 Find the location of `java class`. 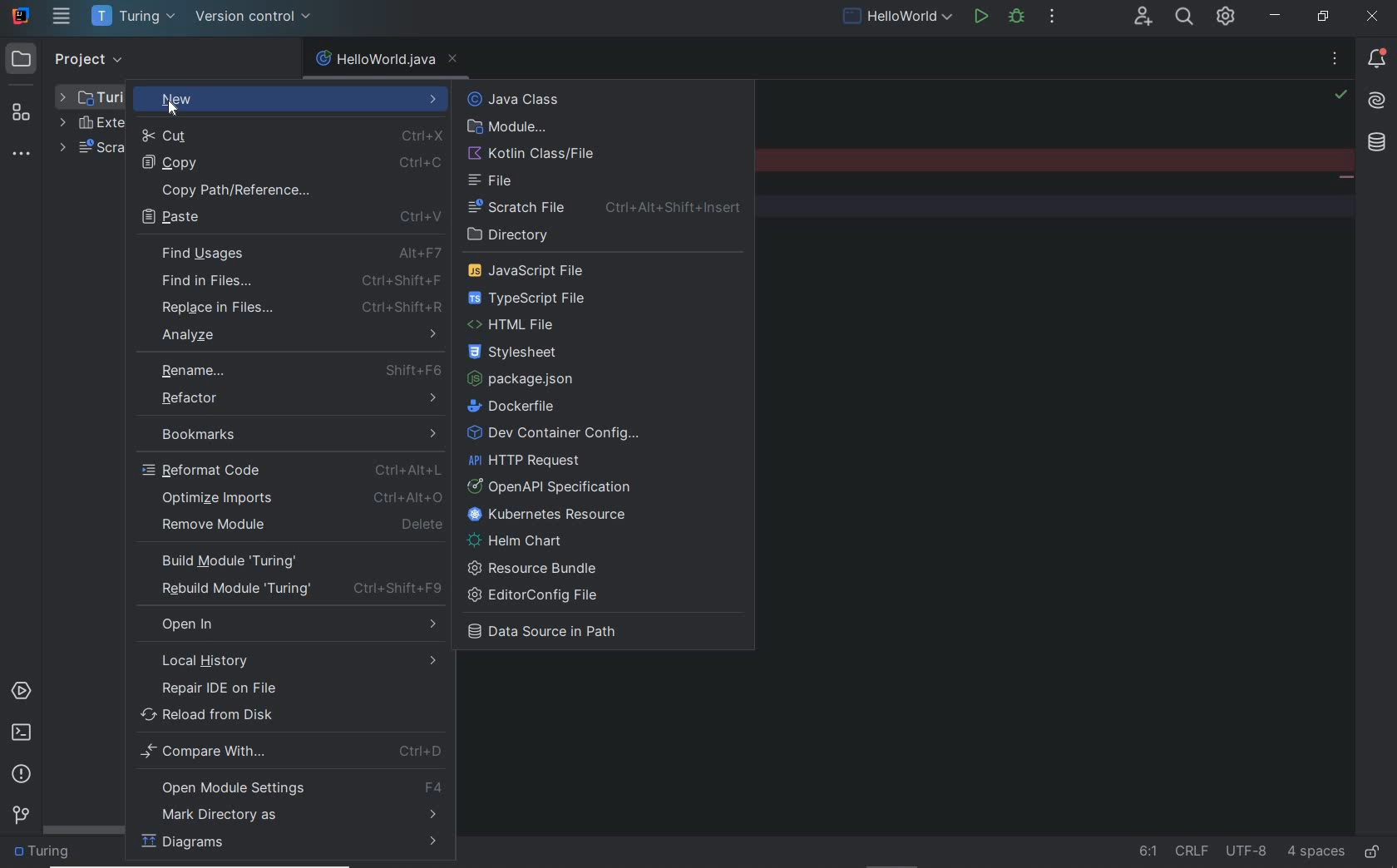

java class is located at coordinates (552, 100).